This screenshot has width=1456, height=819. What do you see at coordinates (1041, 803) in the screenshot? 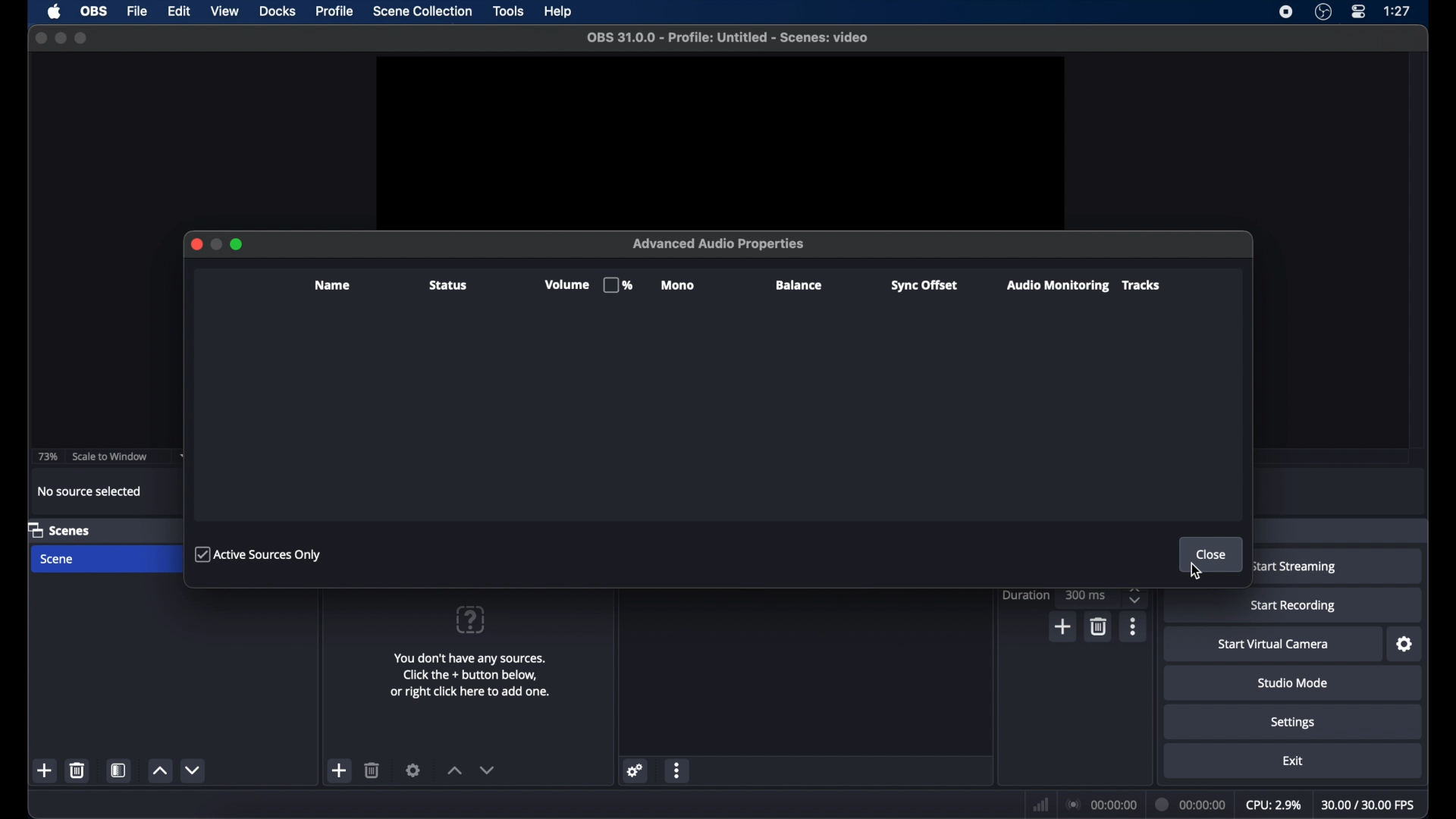
I see `network` at bounding box center [1041, 803].